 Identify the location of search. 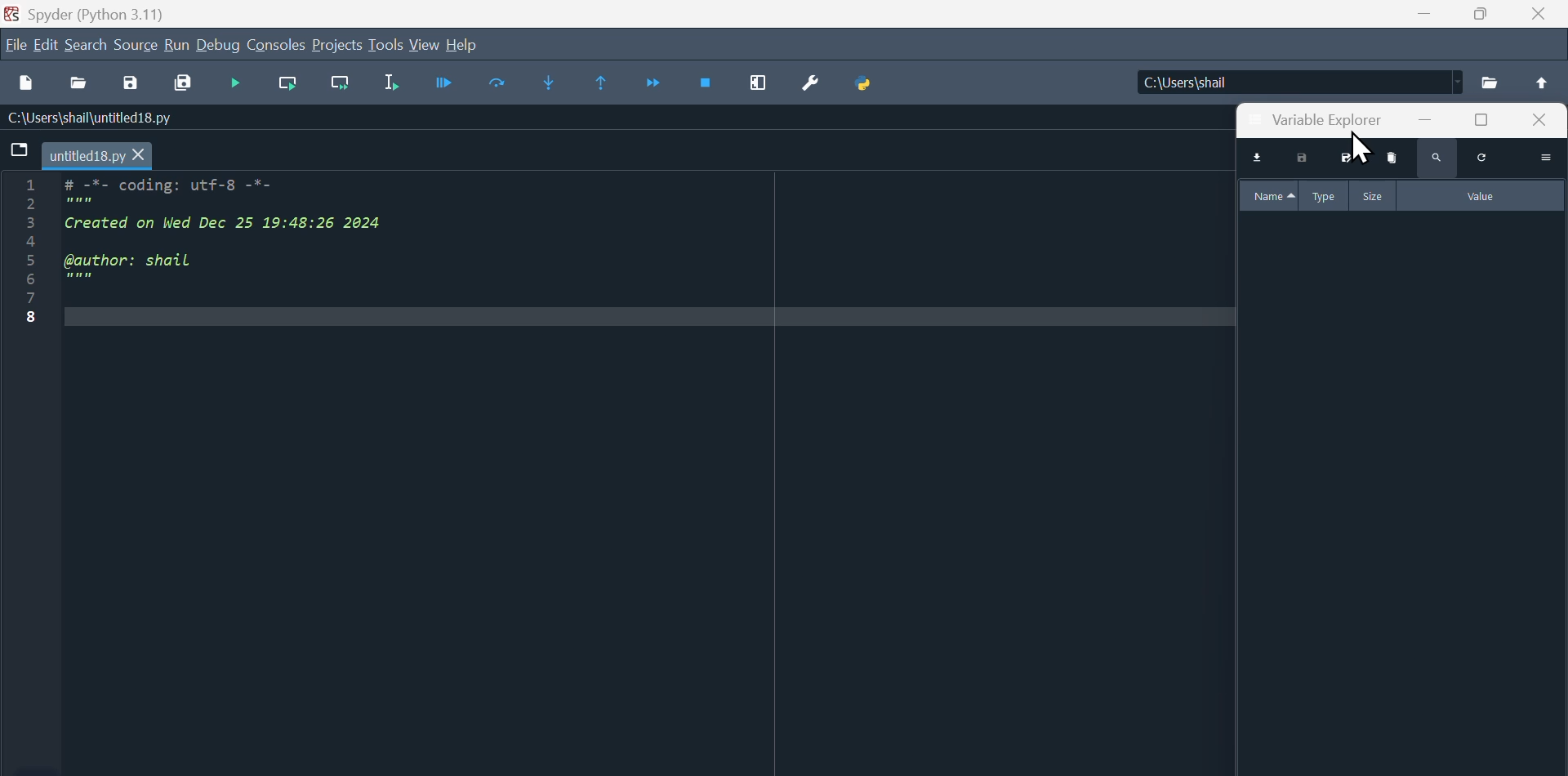
(1435, 161).